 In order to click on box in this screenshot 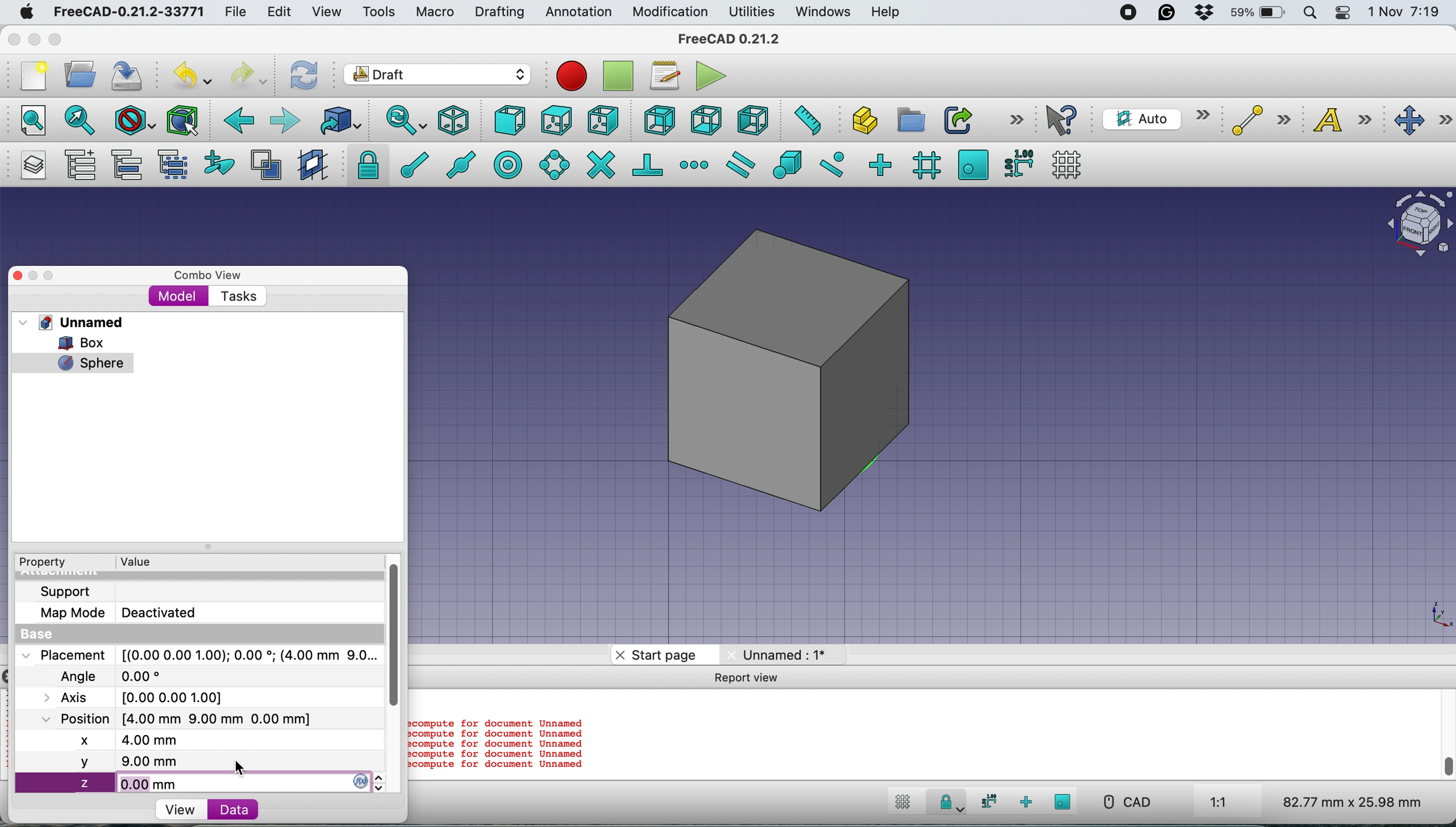, I will do `click(89, 343)`.